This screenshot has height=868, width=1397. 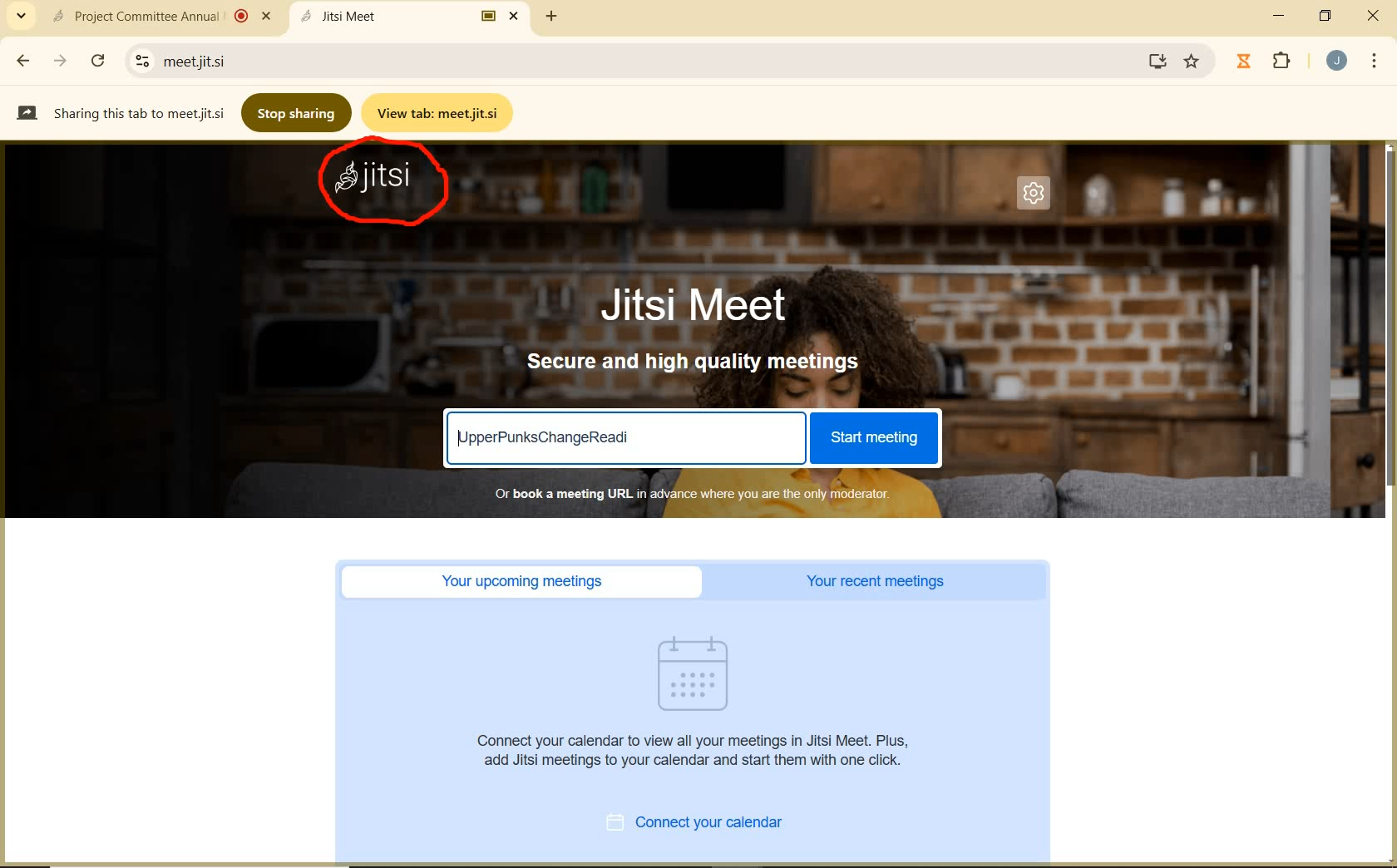 I want to click on VIEW TAB: MEET.JIT.SI, so click(x=441, y=112).